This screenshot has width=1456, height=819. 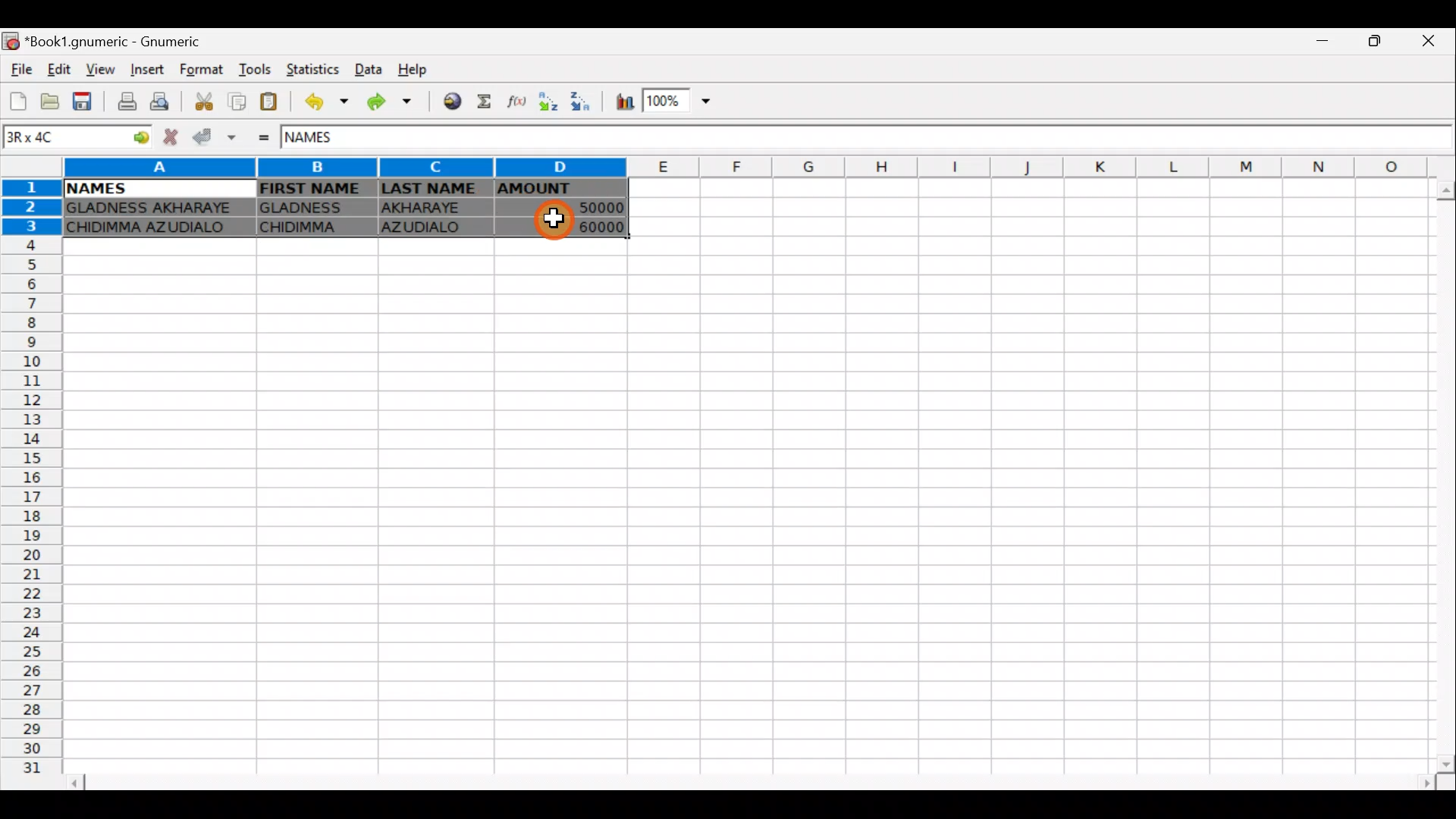 I want to click on Open a file, so click(x=52, y=101).